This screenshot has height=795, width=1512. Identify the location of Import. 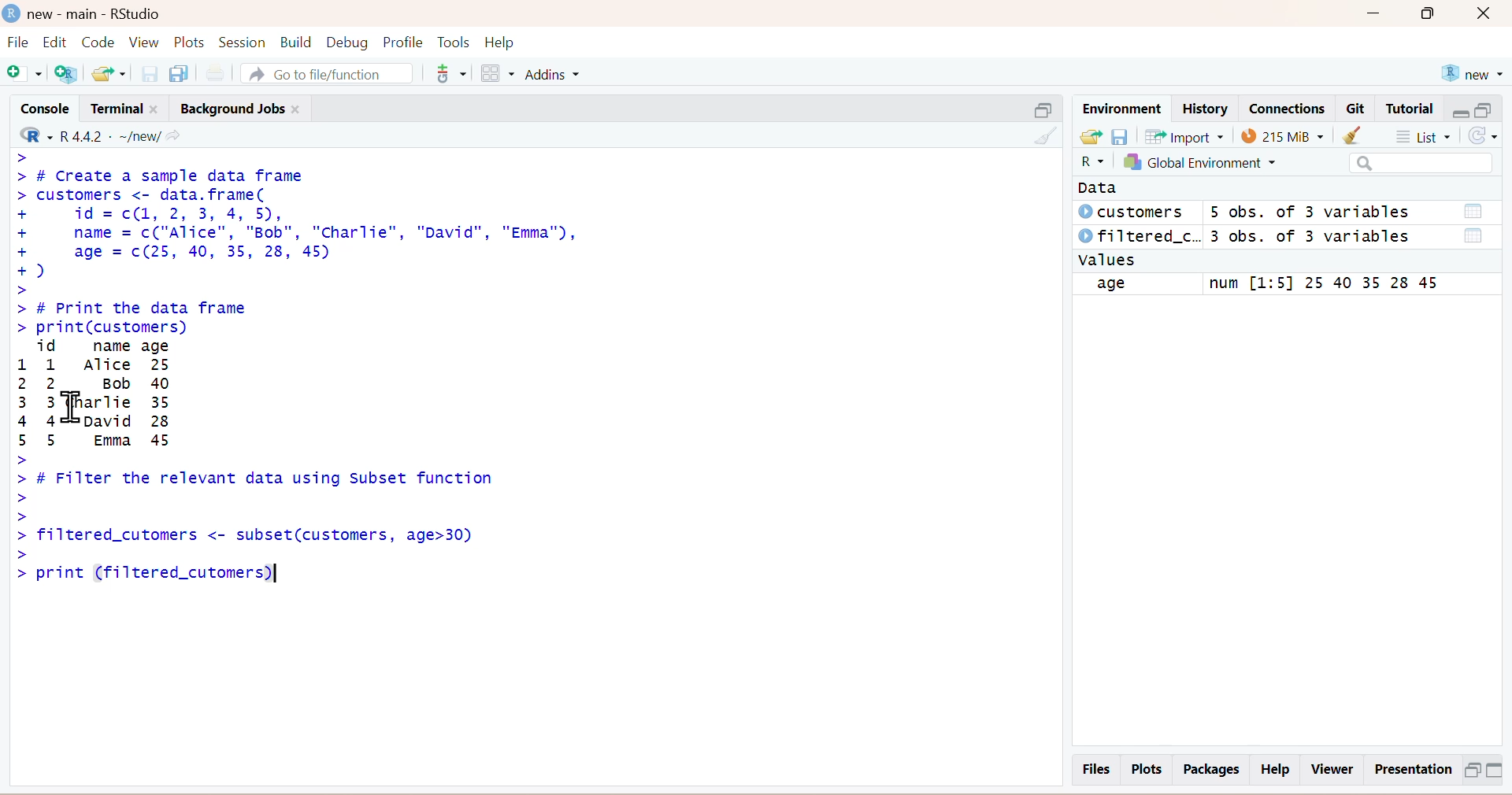
(1188, 137).